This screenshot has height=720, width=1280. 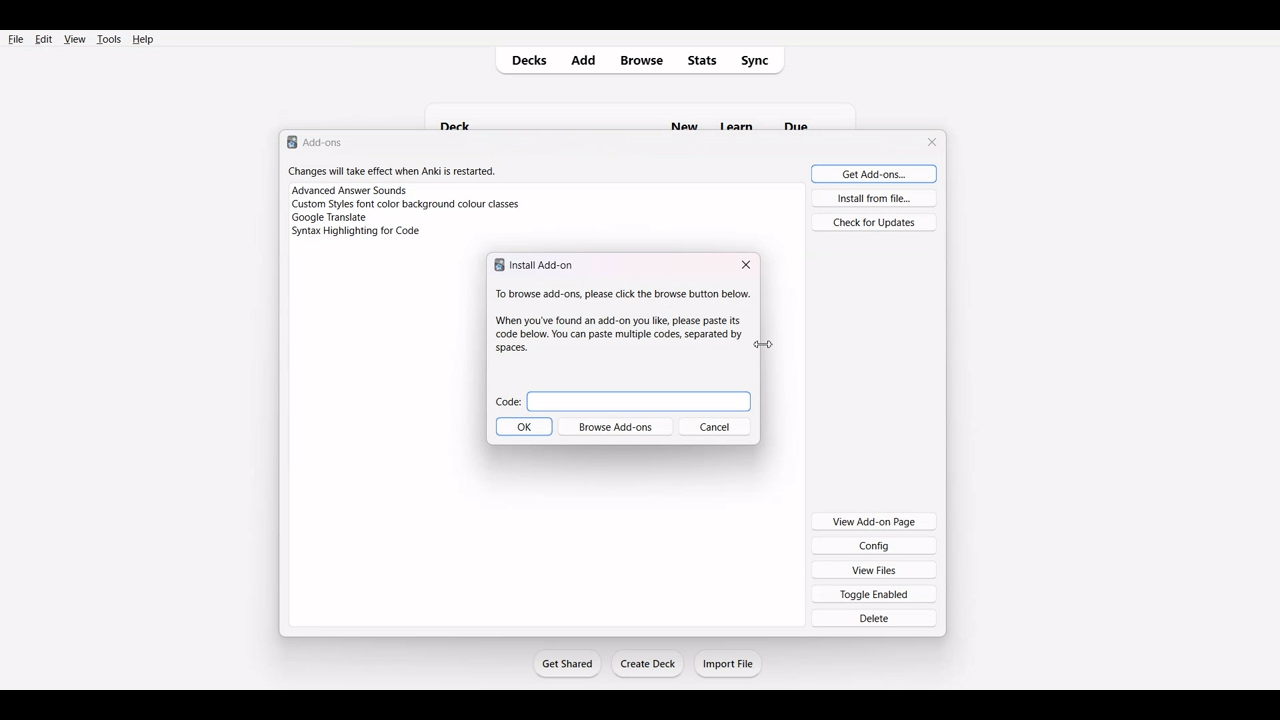 I want to click on Stats, so click(x=703, y=60).